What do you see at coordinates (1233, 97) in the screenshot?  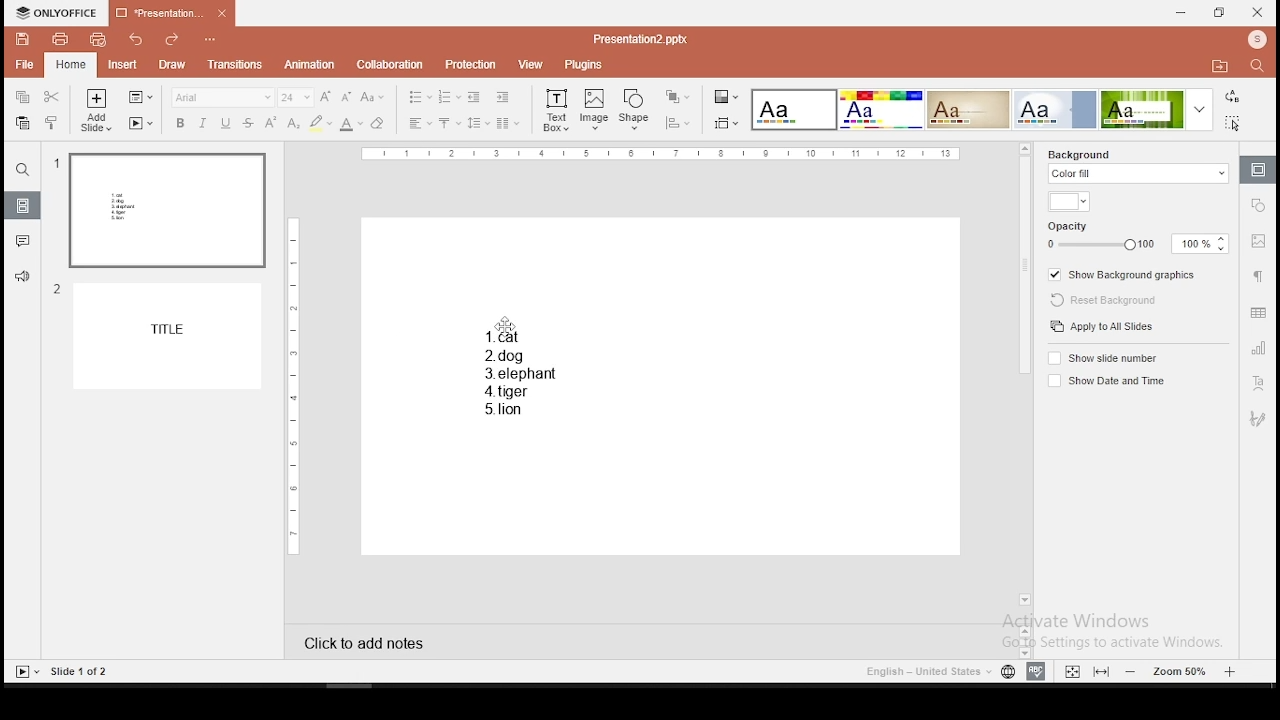 I see `replace` at bounding box center [1233, 97].